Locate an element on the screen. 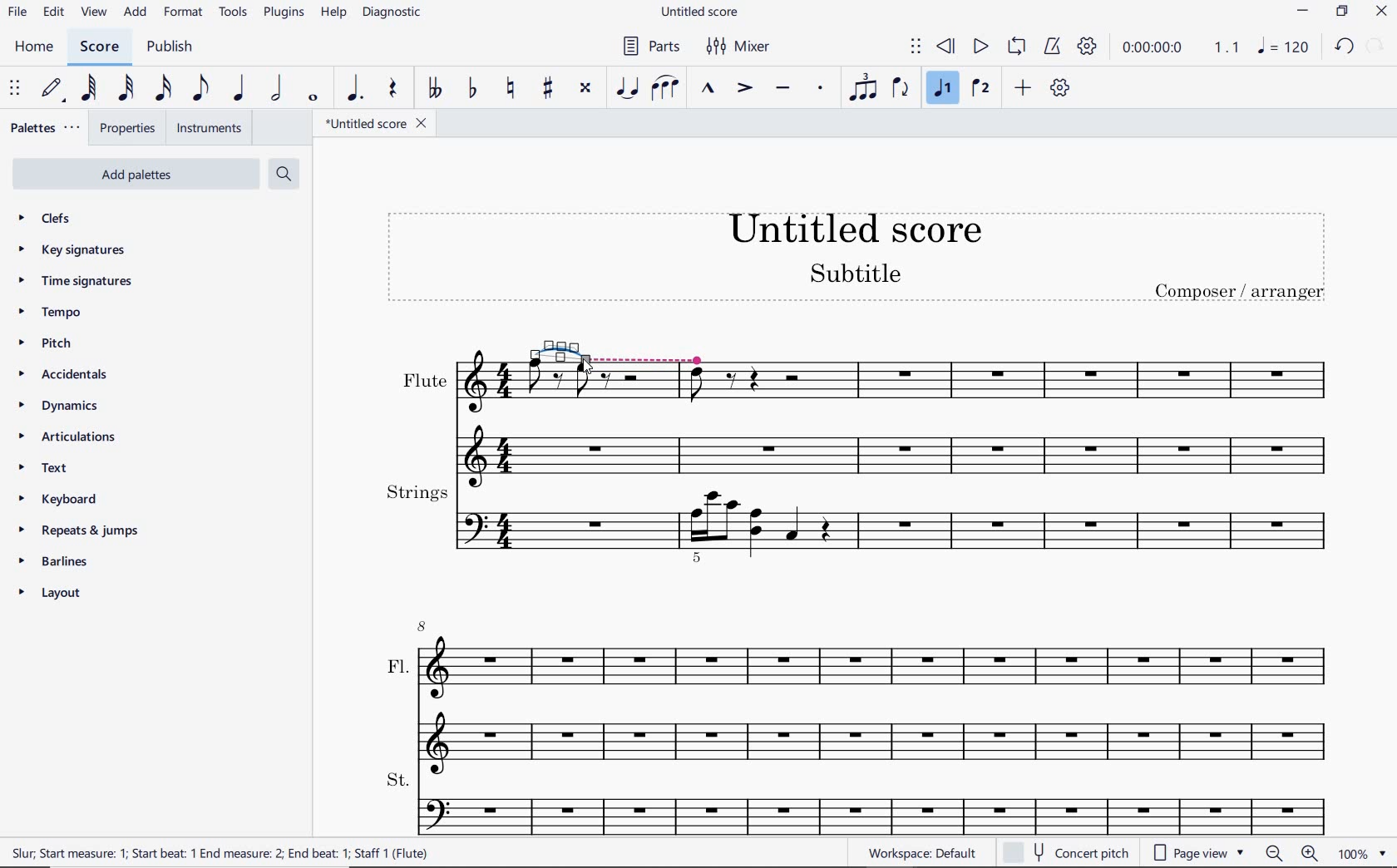  flute is located at coordinates (615, 421).